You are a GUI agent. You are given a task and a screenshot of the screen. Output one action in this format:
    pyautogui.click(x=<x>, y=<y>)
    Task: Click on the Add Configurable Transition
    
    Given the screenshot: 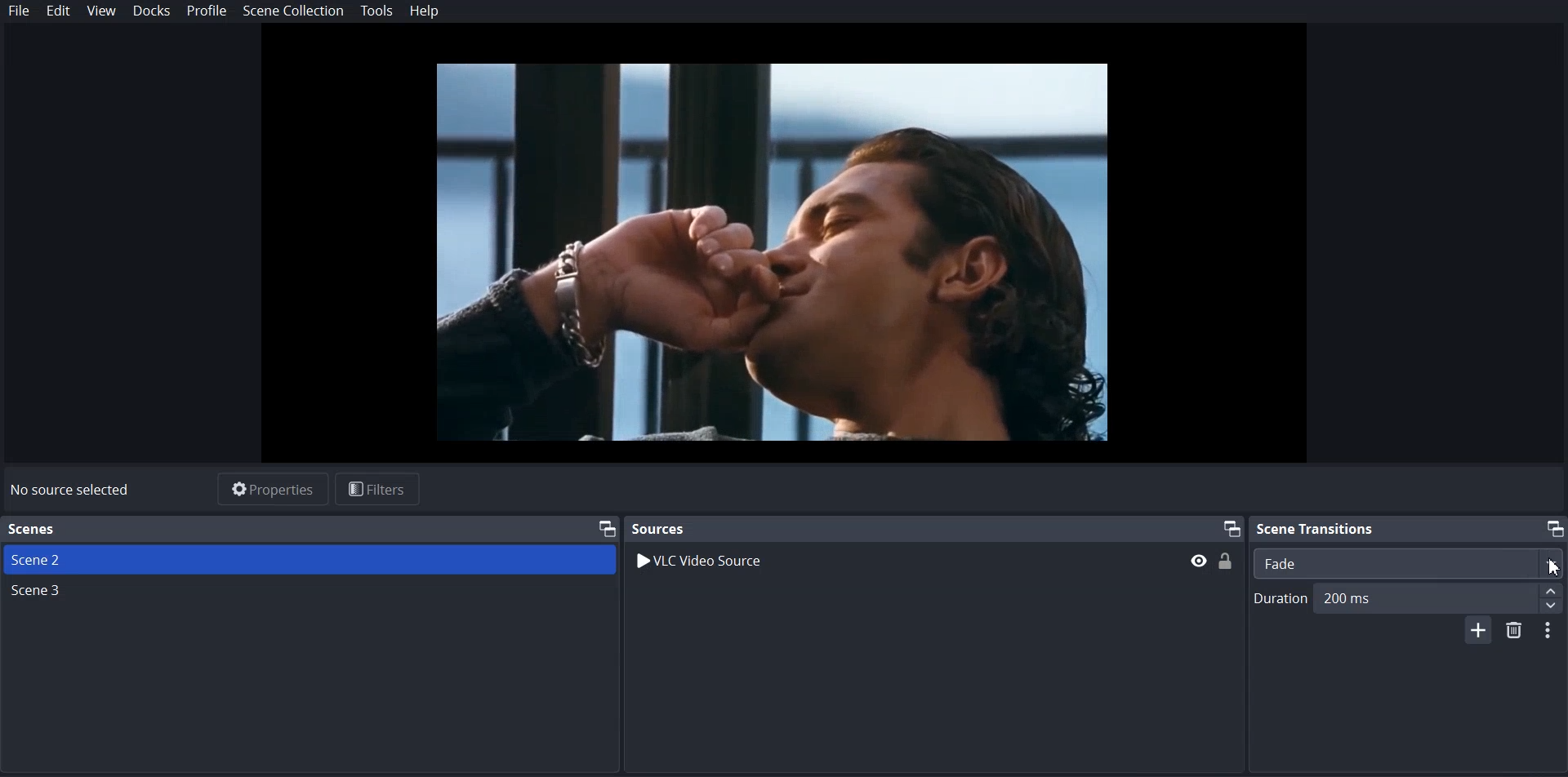 What is the action you would take?
    pyautogui.click(x=1480, y=628)
    